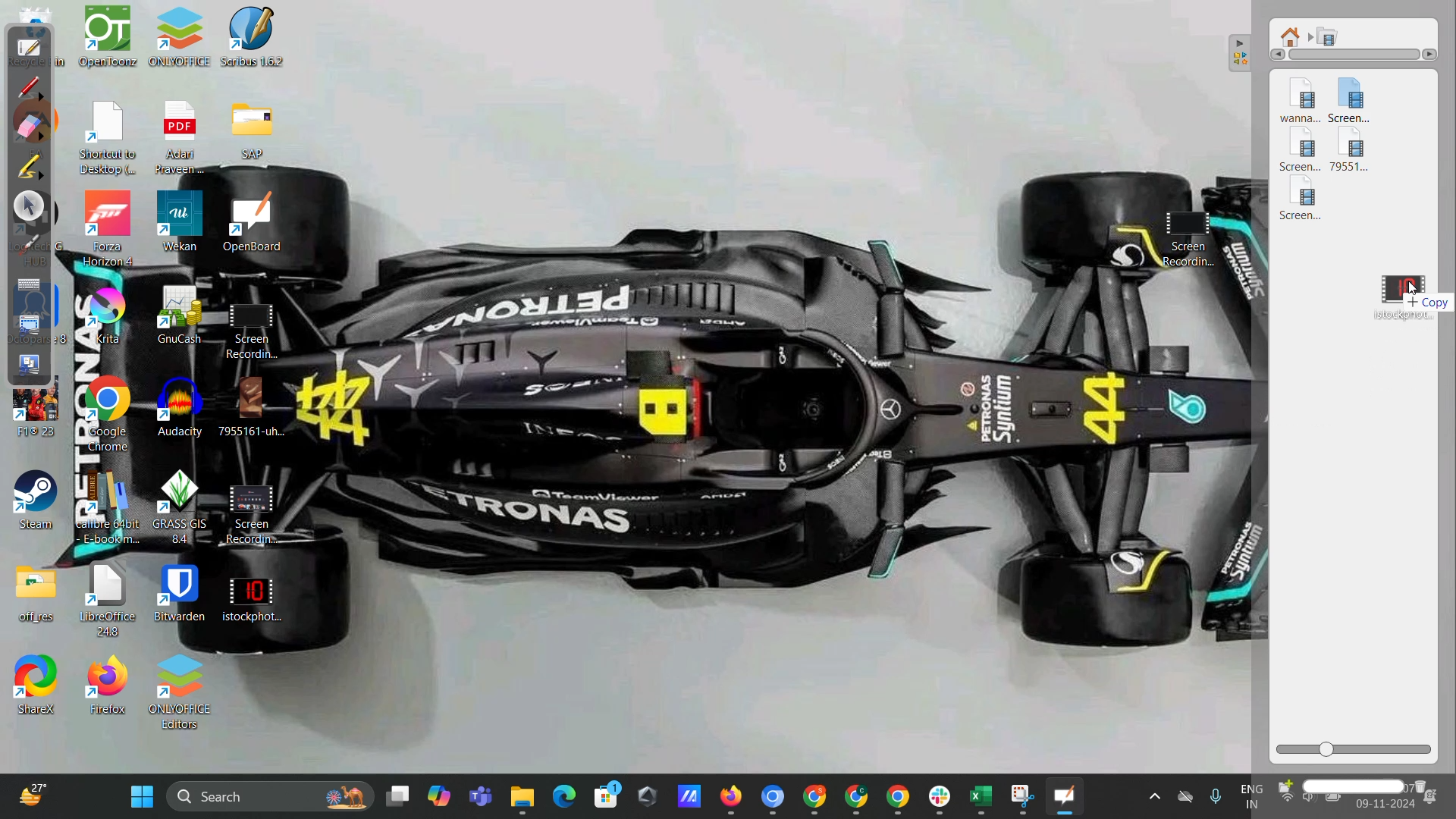 The width and height of the screenshot is (1456, 819). What do you see at coordinates (858, 796) in the screenshot?
I see `Minimized google chrome` at bounding box center [858, 796].